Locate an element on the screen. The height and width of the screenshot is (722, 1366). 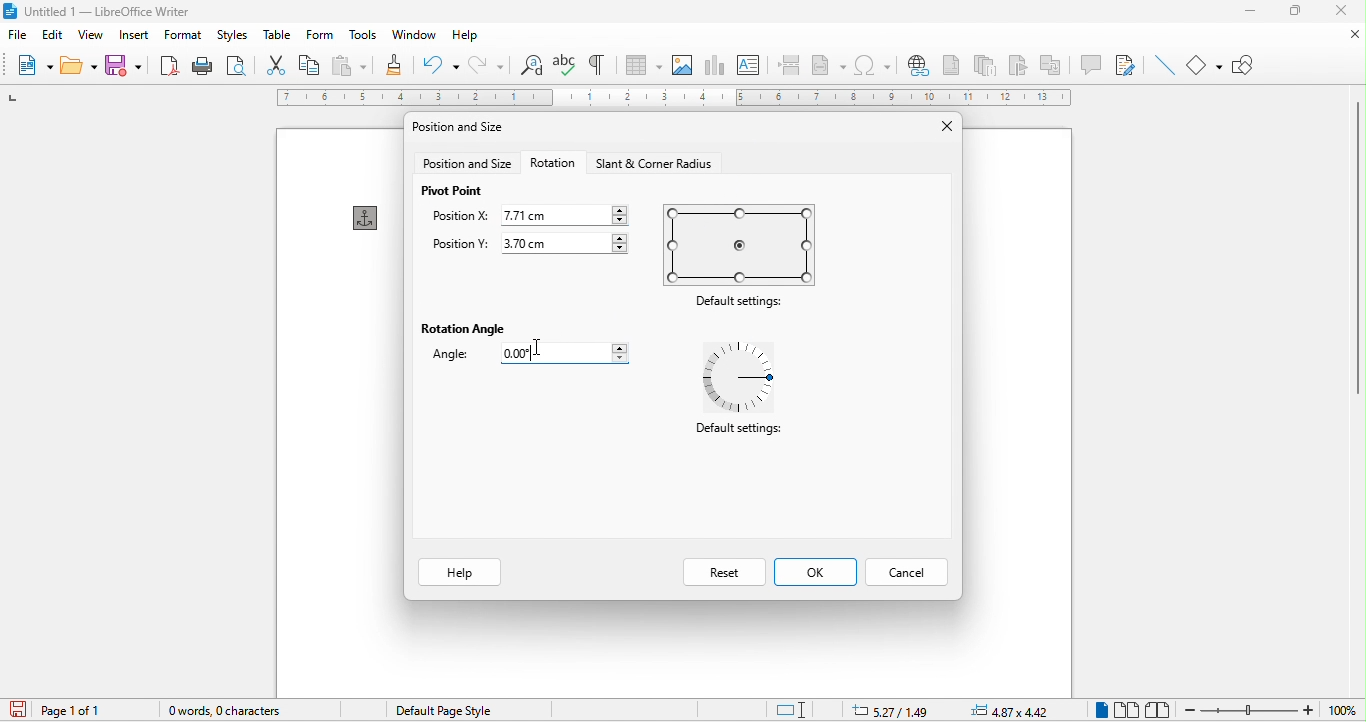
undo is located at coordinates (438, 65).